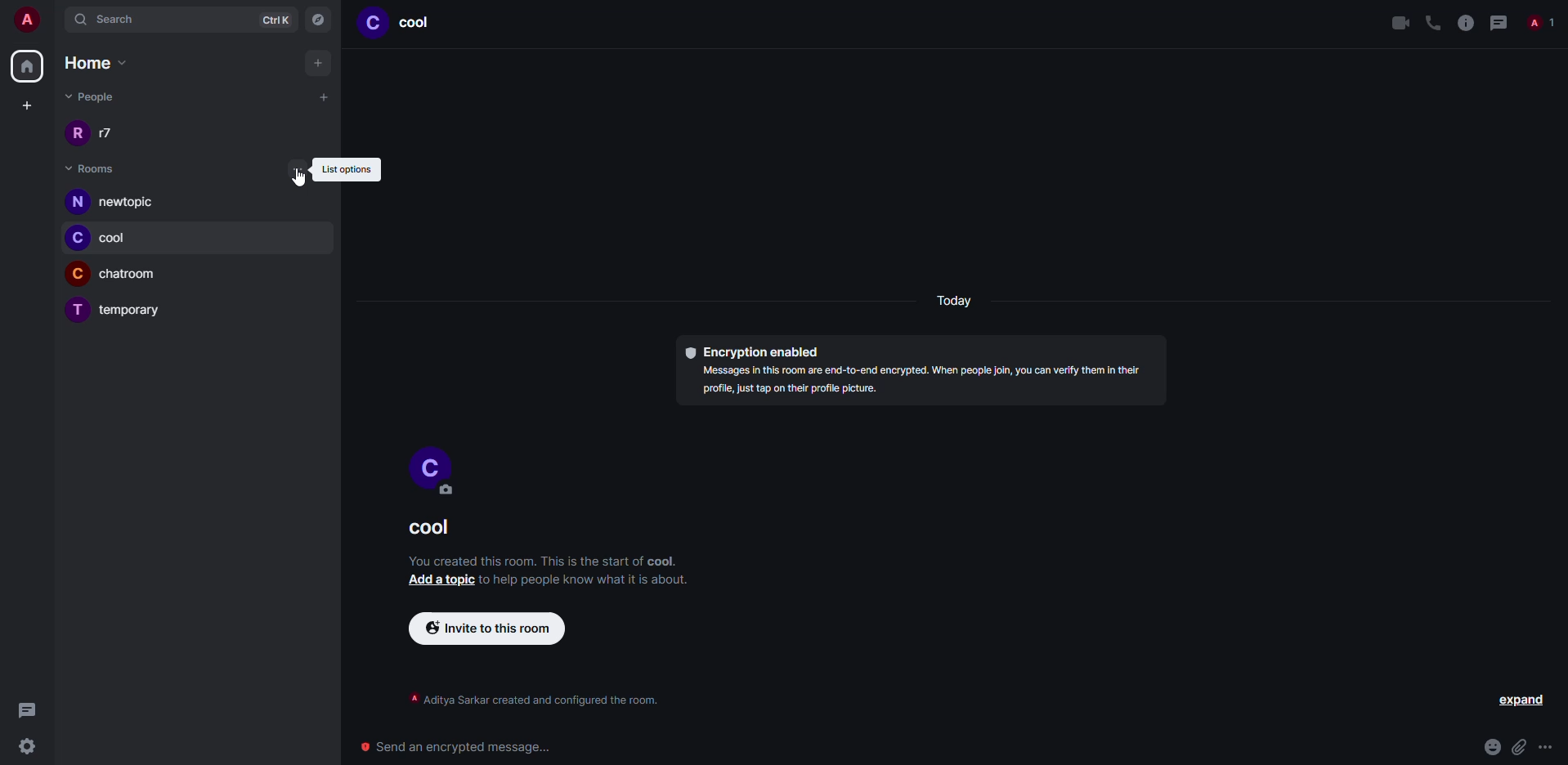  Describe the element at coordinates (486, 629) in the screenshot. I see `invite` at that location.